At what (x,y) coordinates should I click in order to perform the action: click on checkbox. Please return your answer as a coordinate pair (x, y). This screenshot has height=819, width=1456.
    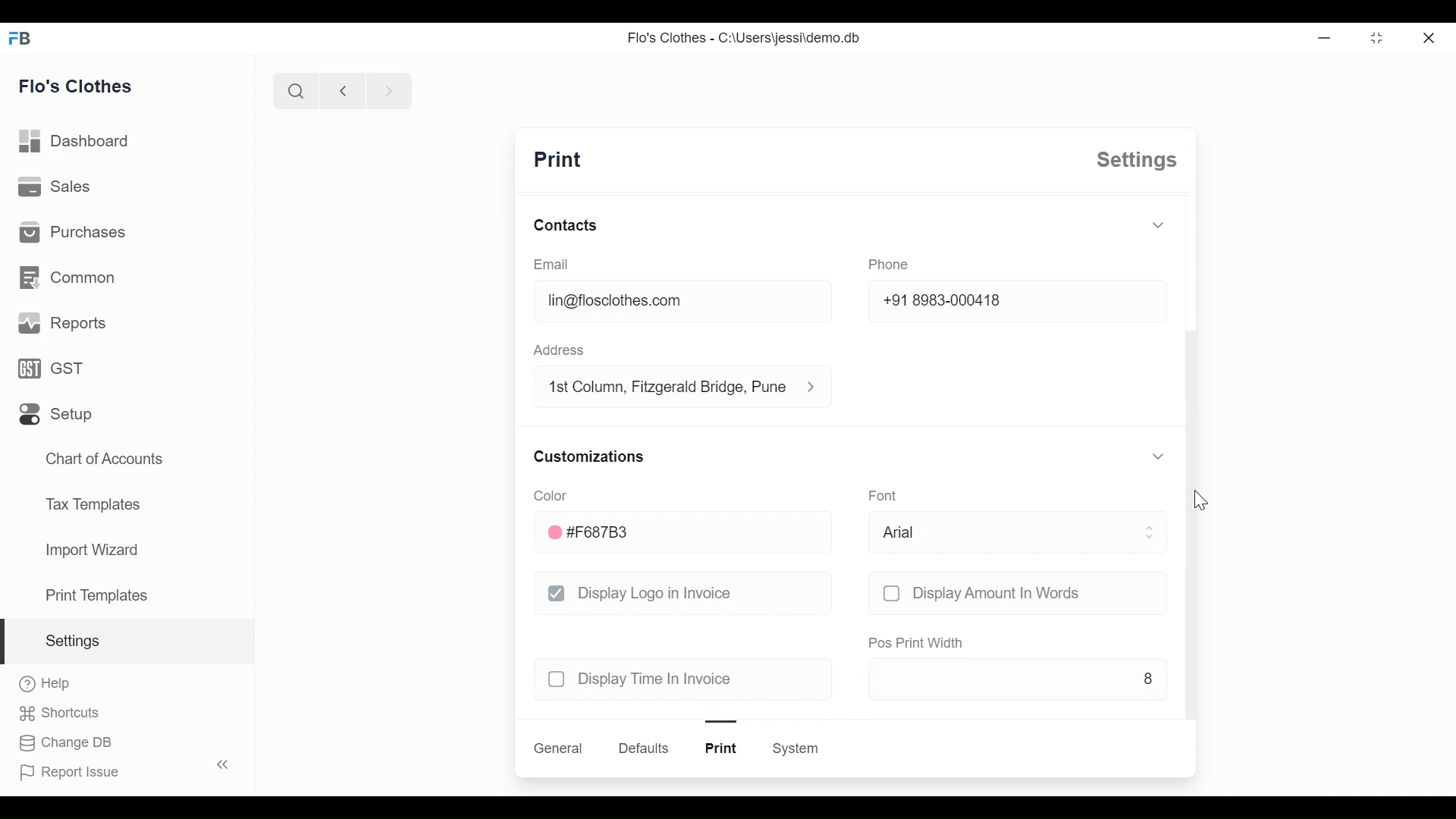
    Looking at the image, I should click on (557, 679).